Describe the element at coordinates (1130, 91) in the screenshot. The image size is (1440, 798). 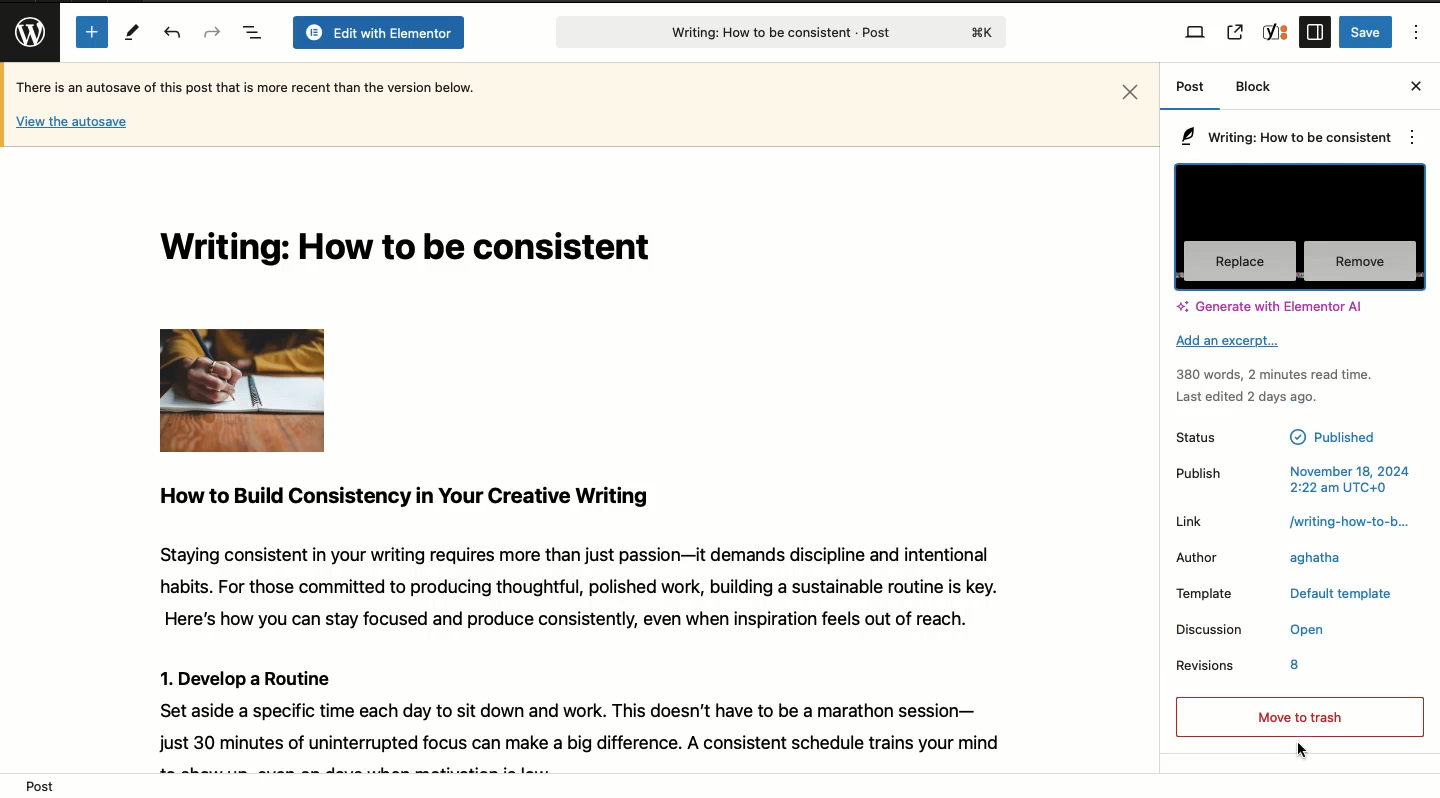
I see `Close` at that location.